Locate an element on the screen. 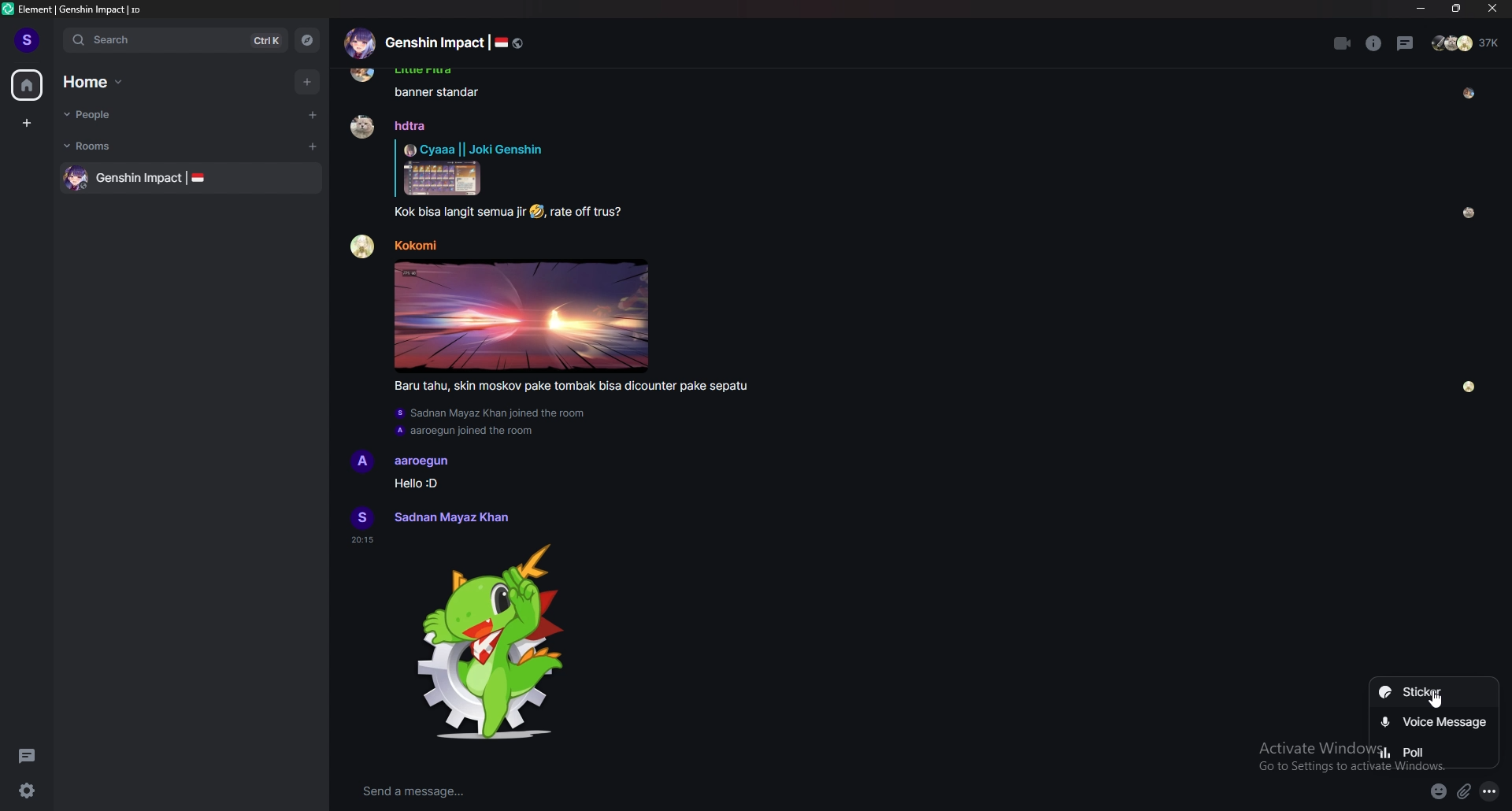  threads is located at coordinates (27, 755).